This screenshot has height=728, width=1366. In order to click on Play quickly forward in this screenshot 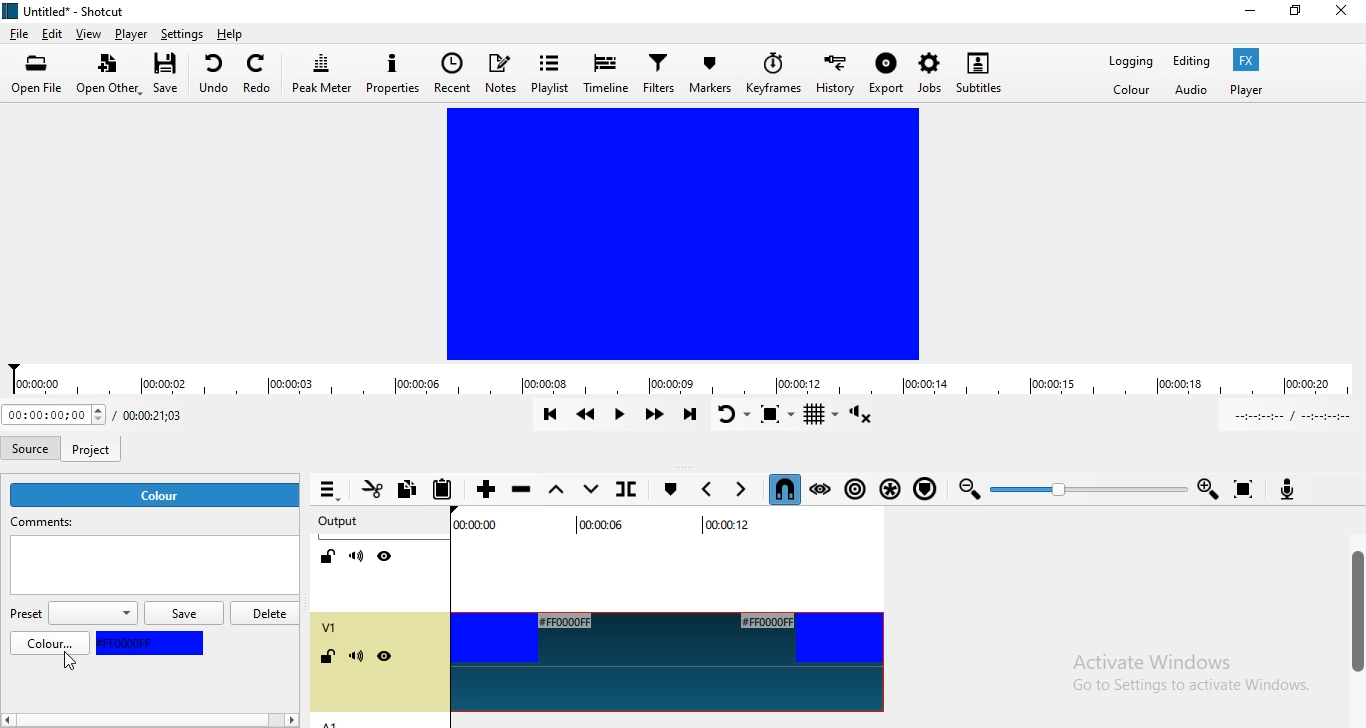, I will do `click(656, 416)`.